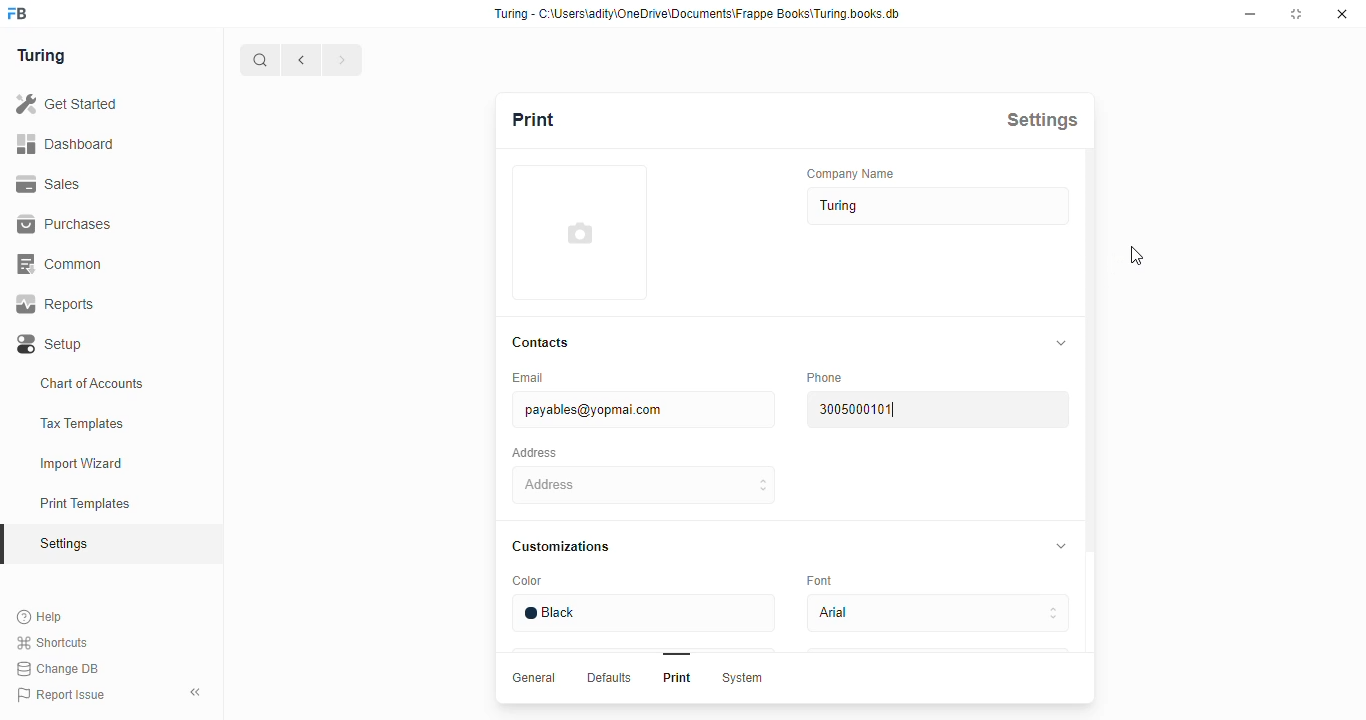  Describe the element at coordinates (1041, 120) in the screenshot. I see `Settings` at that location.